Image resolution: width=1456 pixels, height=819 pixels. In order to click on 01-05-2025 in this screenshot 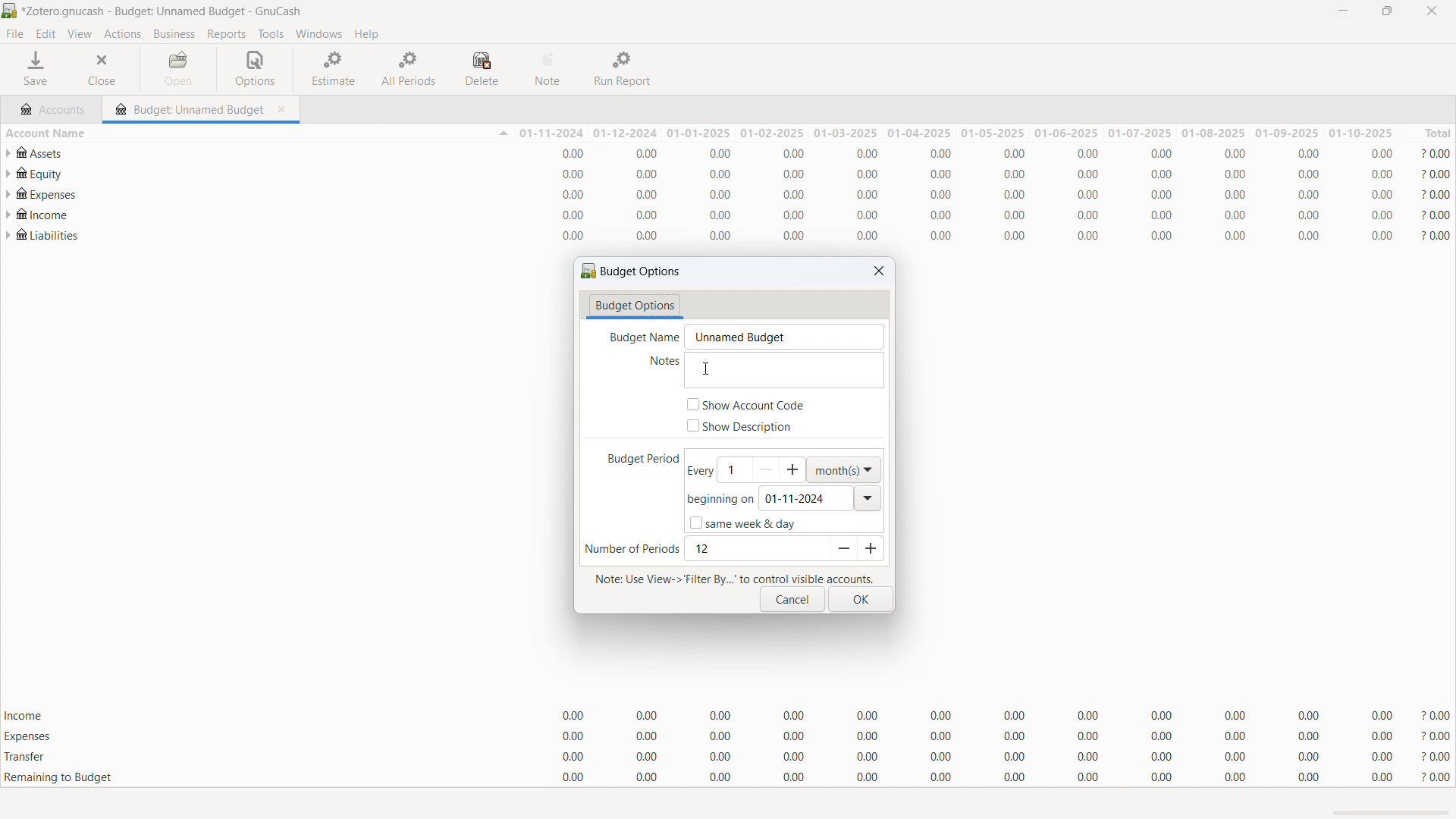, I will do `click(991, 133)`.